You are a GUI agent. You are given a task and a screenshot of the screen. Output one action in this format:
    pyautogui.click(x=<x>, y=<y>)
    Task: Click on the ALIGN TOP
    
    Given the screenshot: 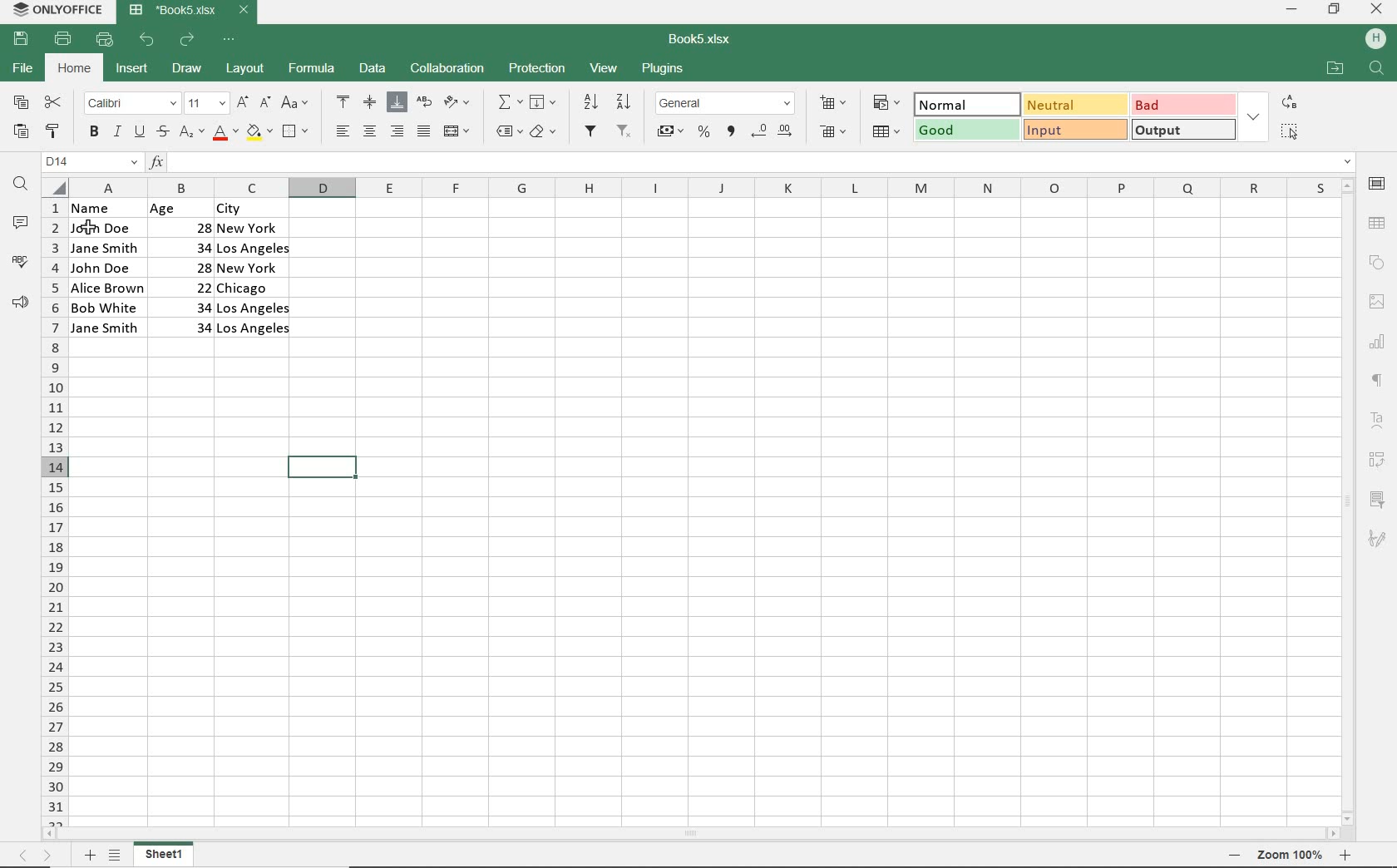 What is the action you would take?
    pyautogui.click(x=344, y=101)
    